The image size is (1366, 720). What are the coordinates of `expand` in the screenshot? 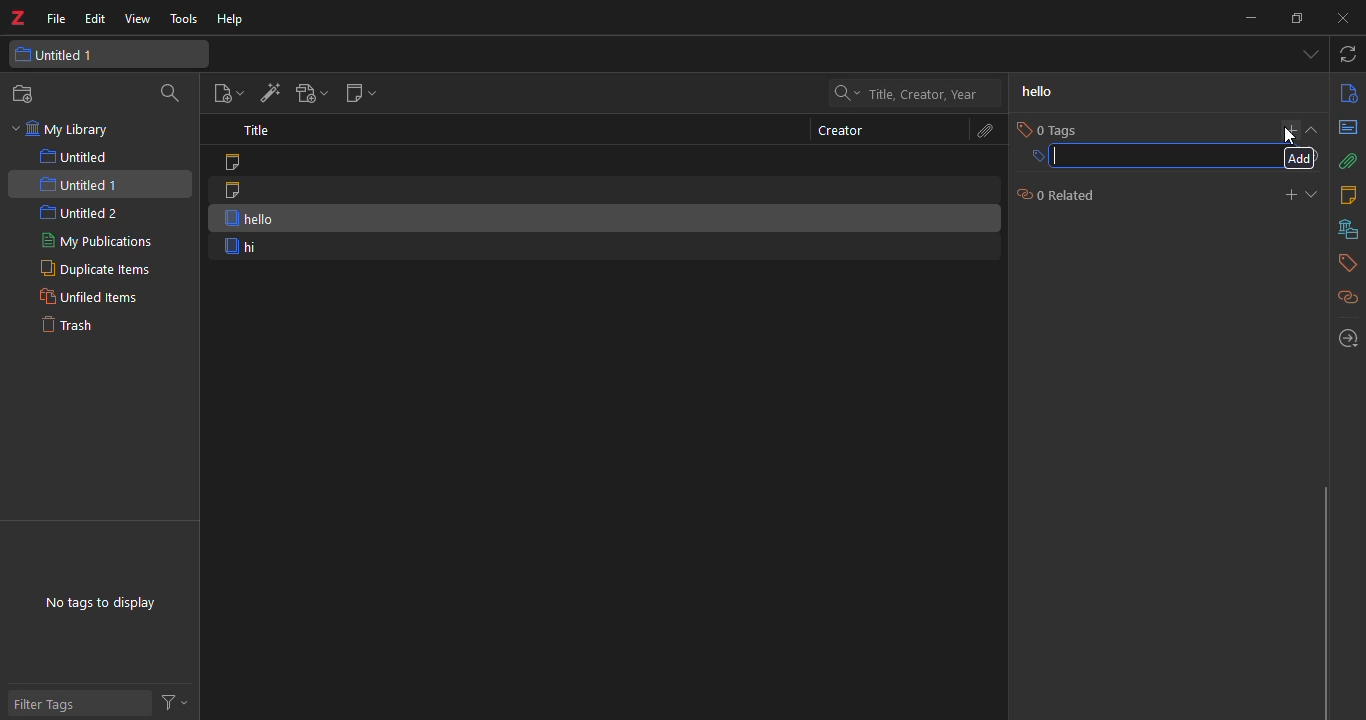 It's located at (1316, 130).